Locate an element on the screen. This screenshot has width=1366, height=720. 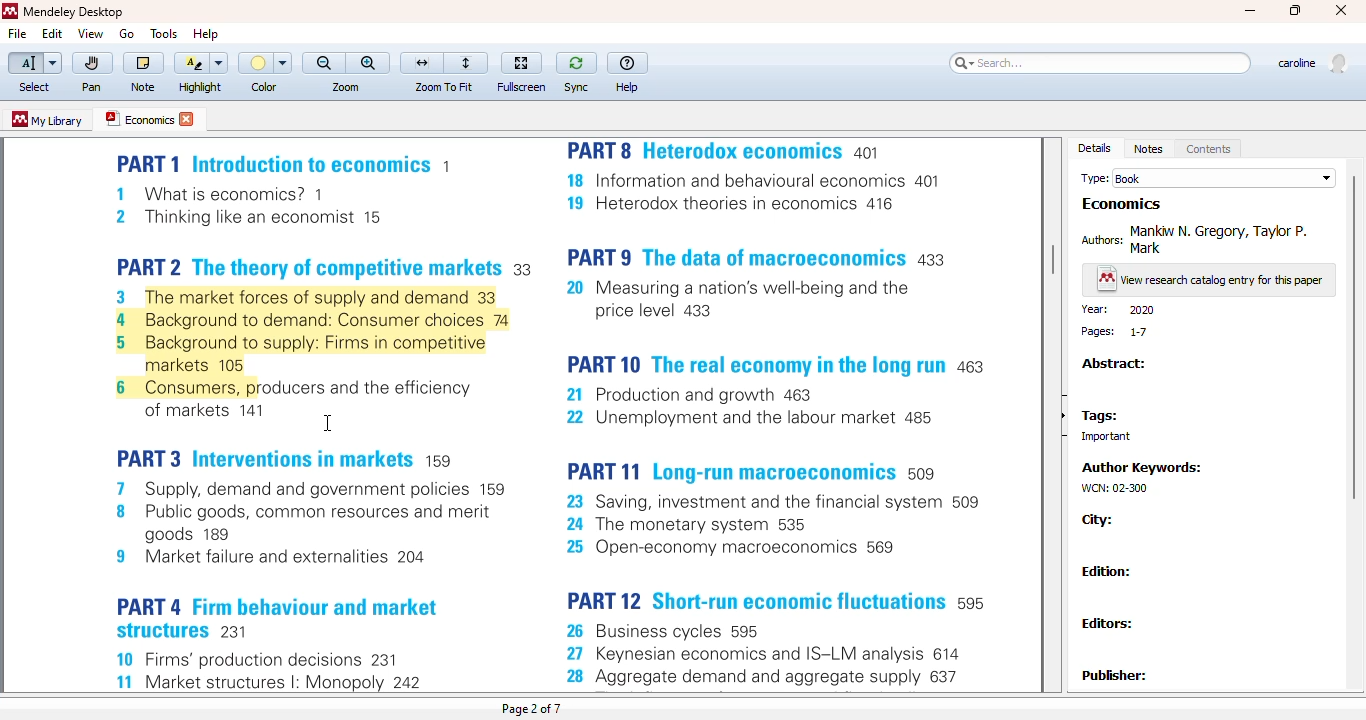
tags:  is located at coordinates (1099, 417).